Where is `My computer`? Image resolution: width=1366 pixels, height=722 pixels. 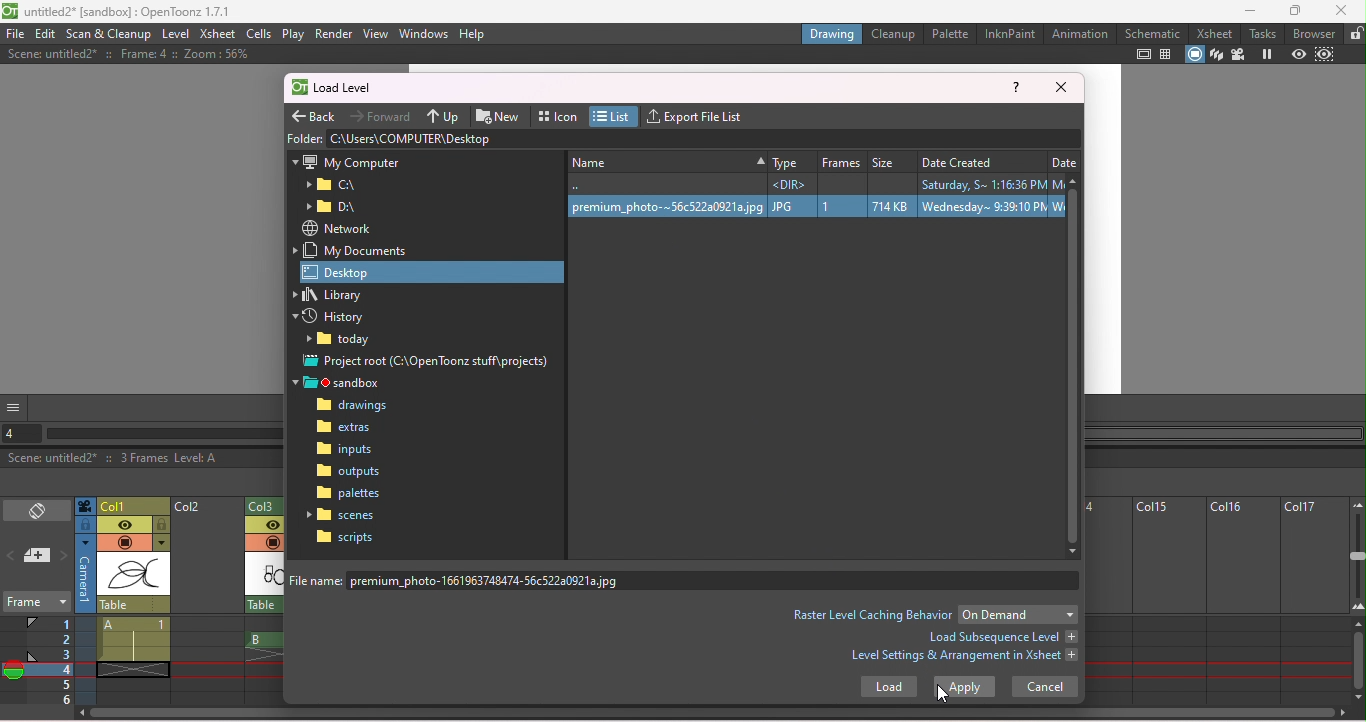
My computer is located at coordinates (346, 160).